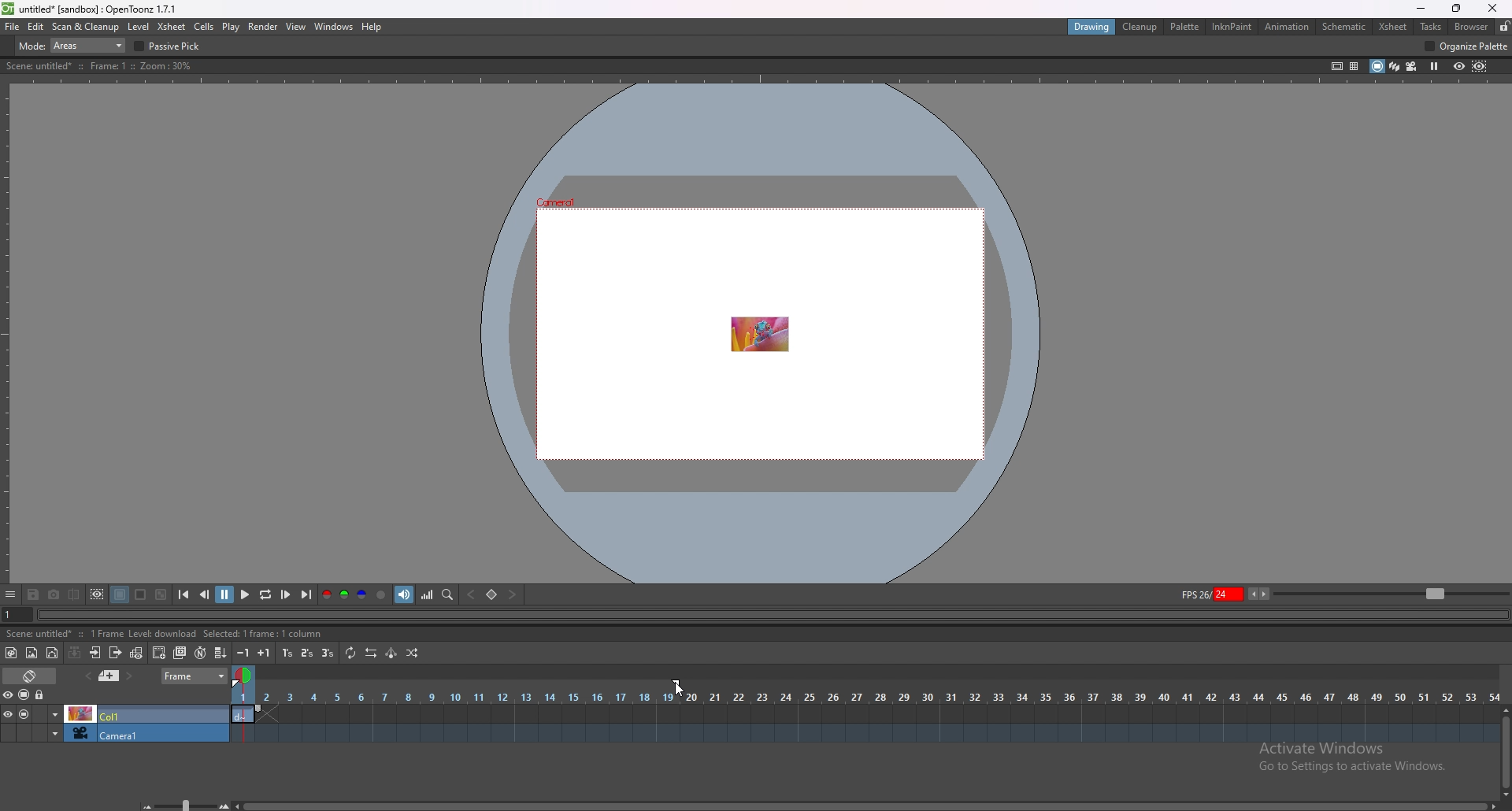  What do you see at coordinates (1141, 27) in the screenshot?
I see `cleanup` at bounding box center [1141, 27].